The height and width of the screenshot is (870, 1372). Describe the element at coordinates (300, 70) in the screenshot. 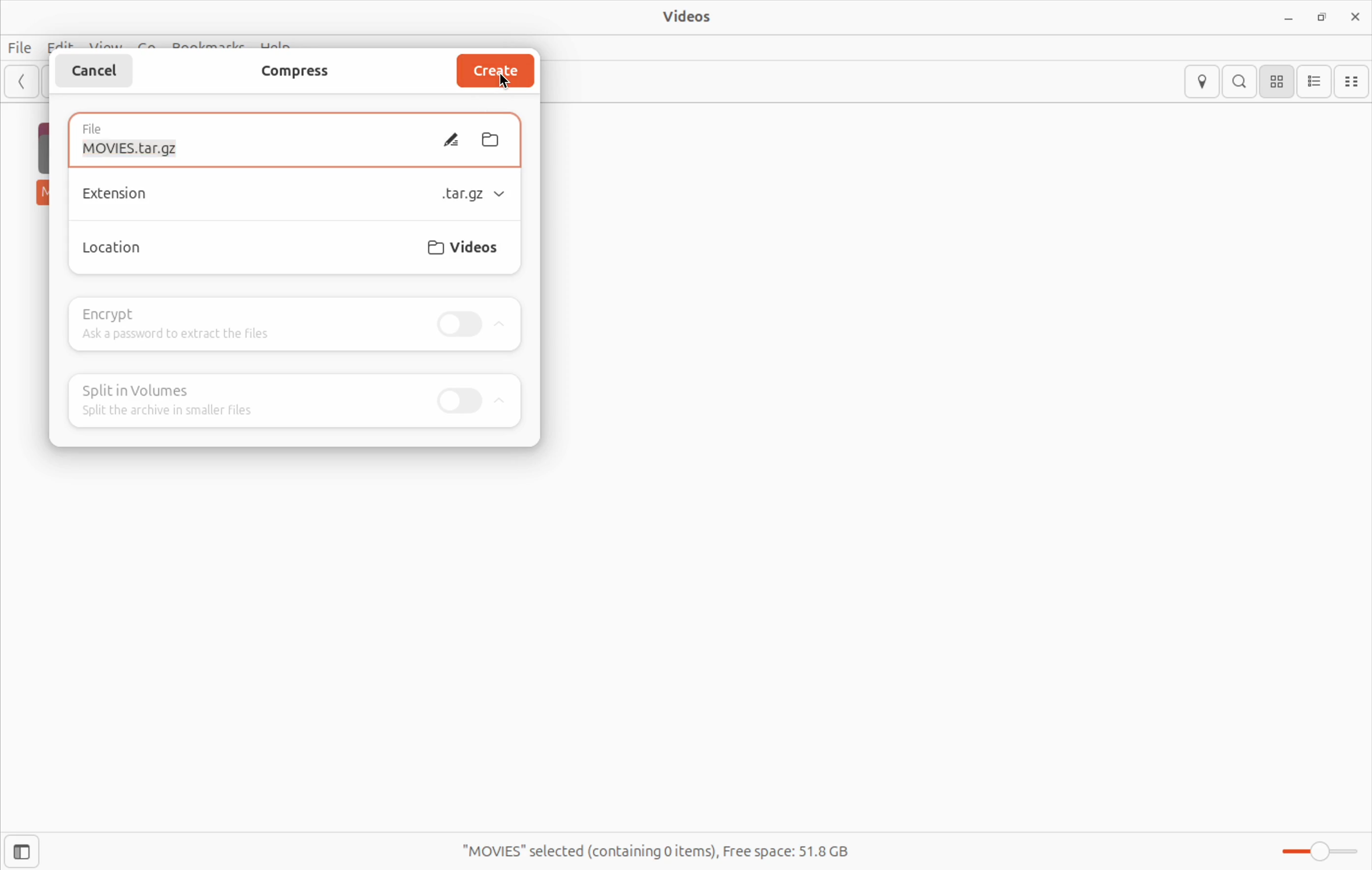

I see `compress` at that location.